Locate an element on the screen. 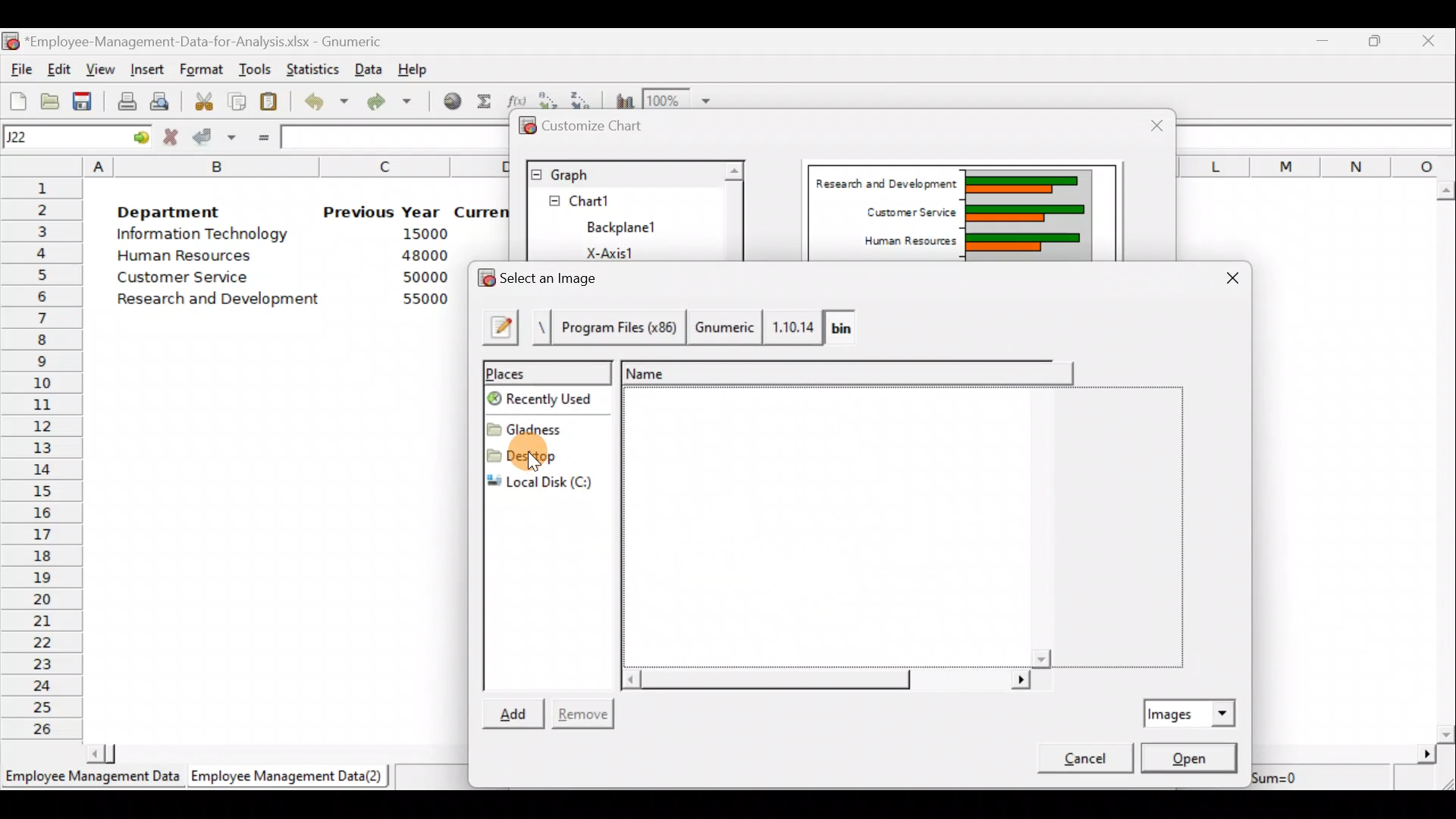  Recently used is located at coordinates (552, 400).